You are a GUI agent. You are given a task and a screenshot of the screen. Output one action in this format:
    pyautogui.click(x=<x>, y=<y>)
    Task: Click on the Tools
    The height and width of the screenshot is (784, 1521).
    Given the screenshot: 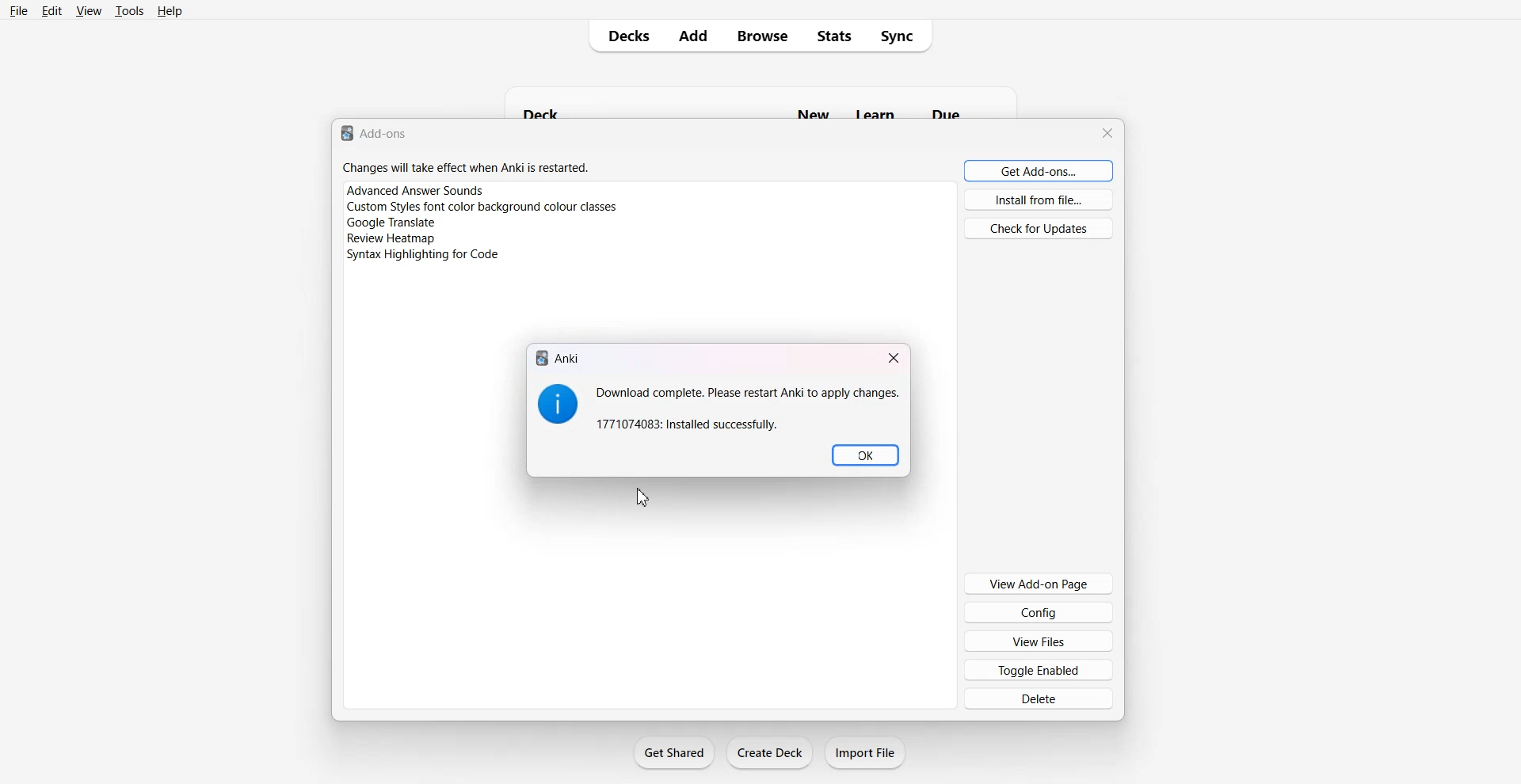 What is the action you would take?
    pyautogui.click(x=129, y=11)
    